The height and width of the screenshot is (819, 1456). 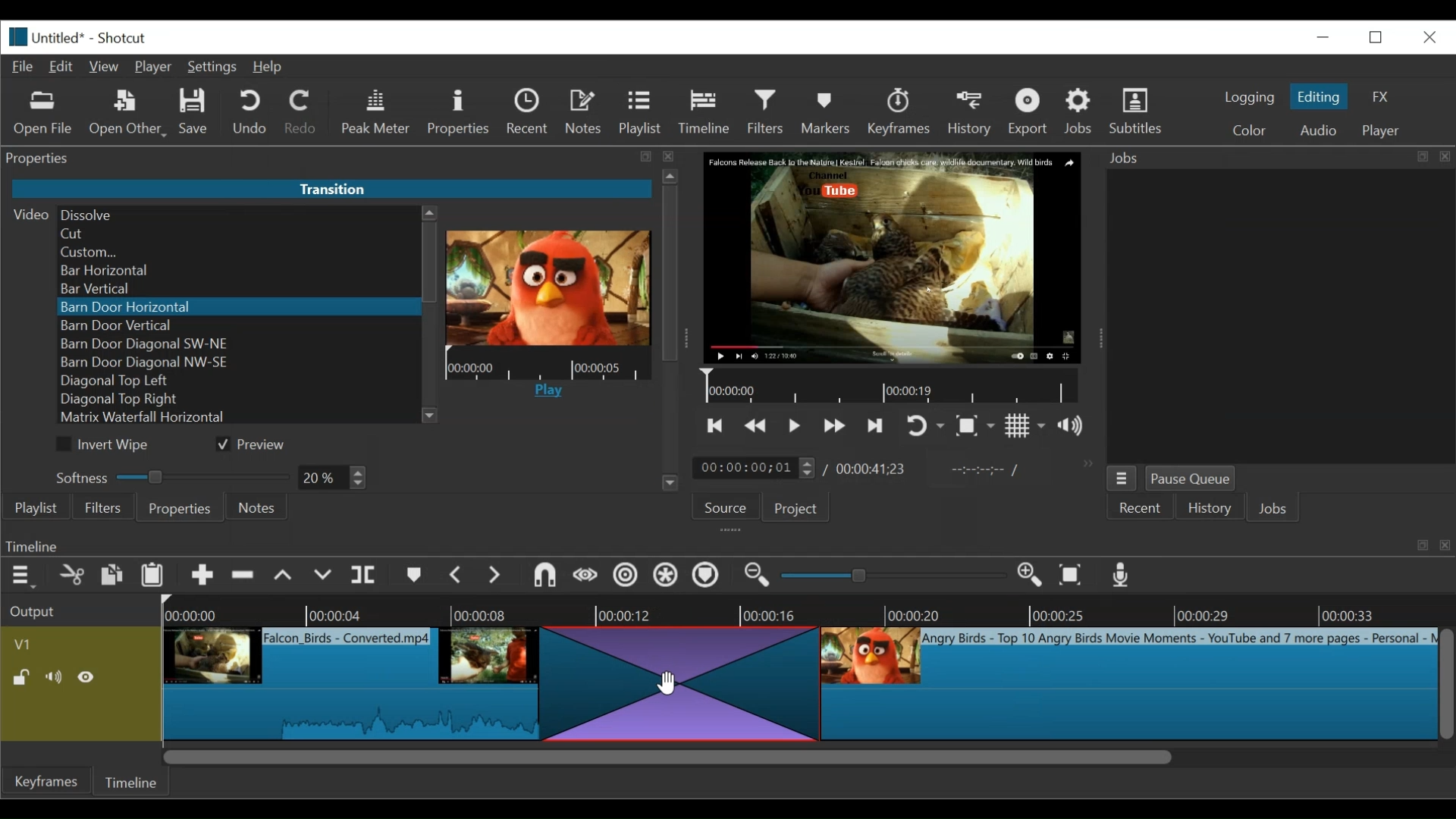 What do you see at coordinates (239, 381) in the screenshot?
I see `Diagonal Top left` at bounding box center [239, 381].